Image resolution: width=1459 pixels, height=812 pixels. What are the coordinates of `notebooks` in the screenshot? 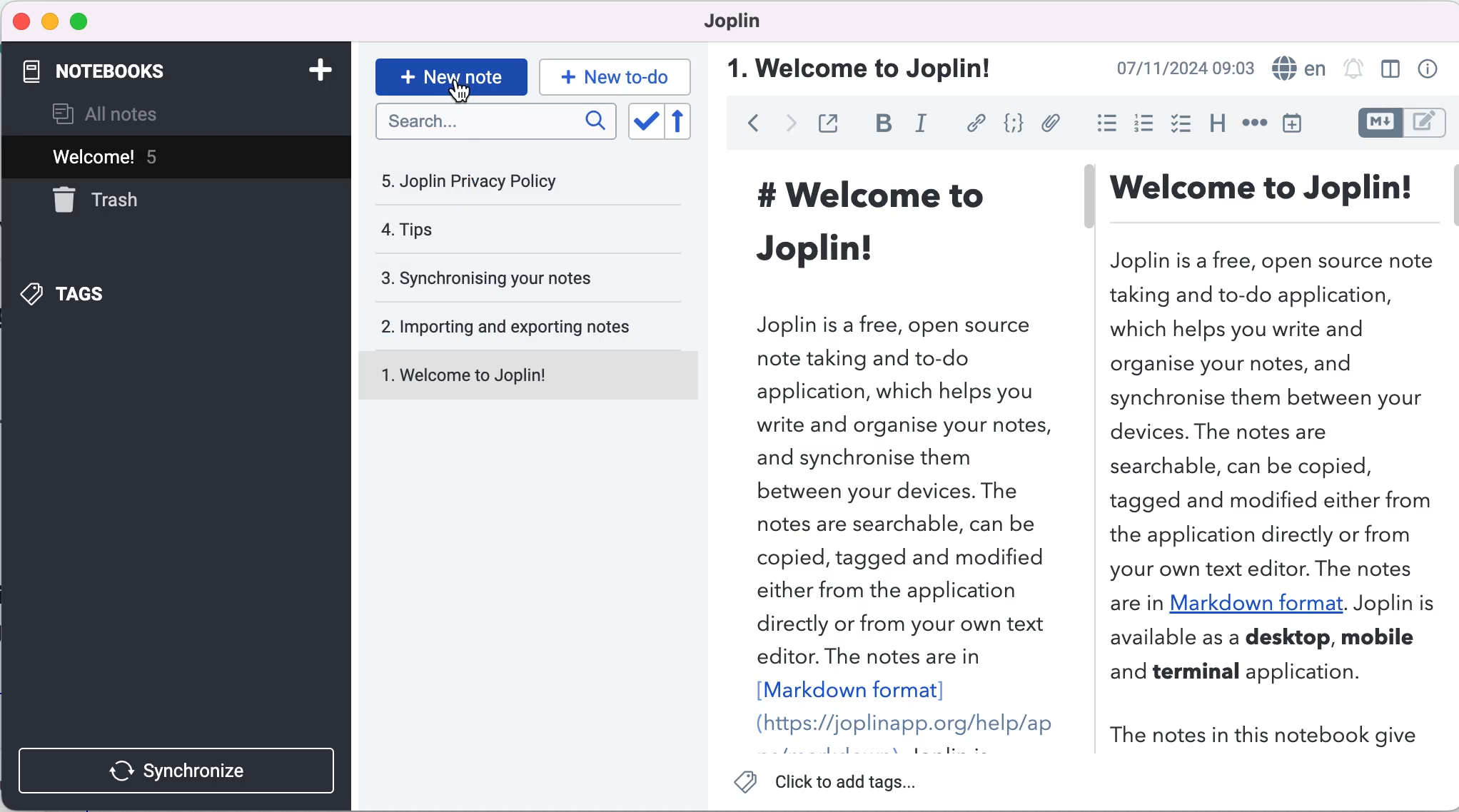 It's located at (108, 68).